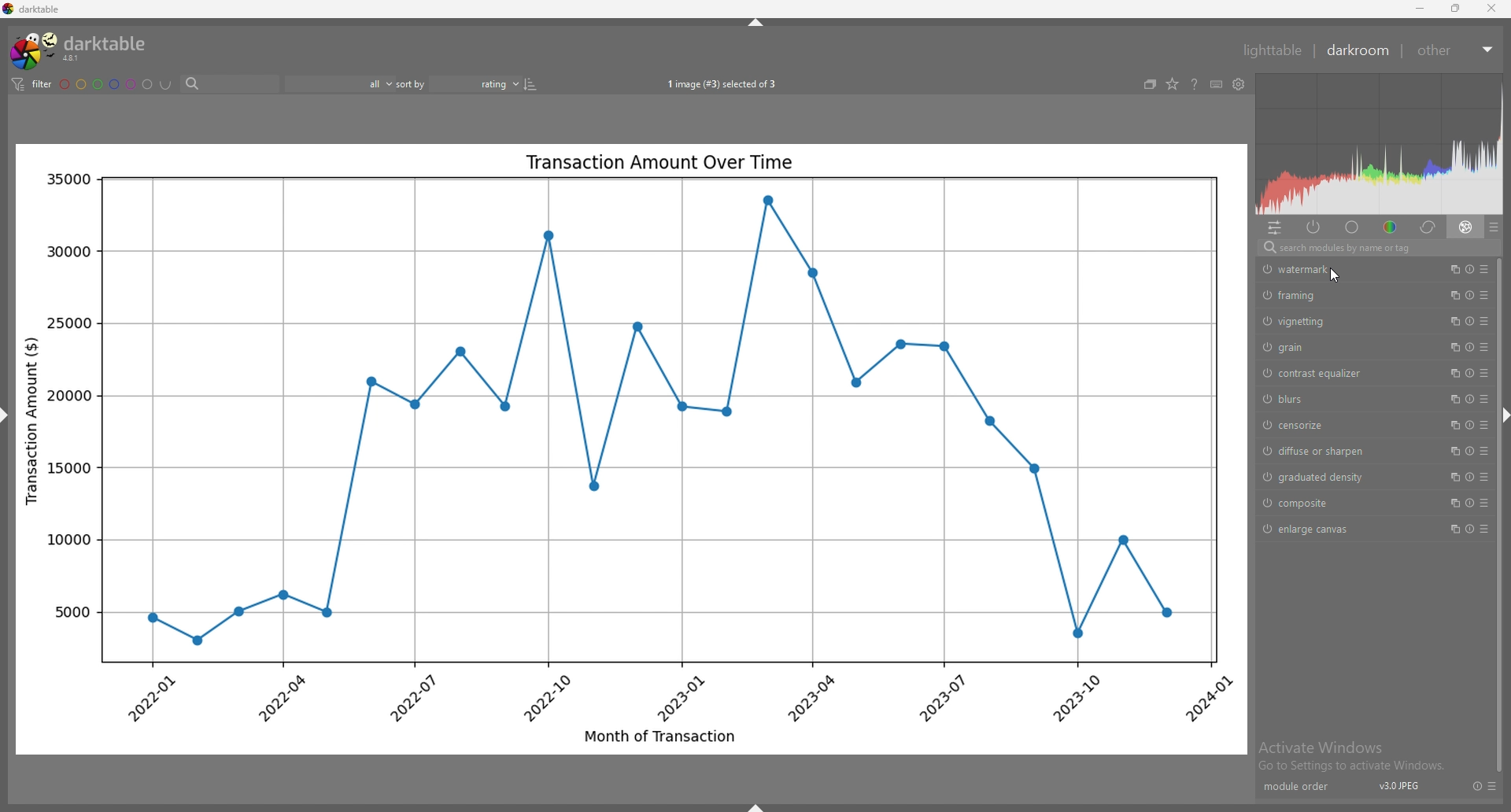 The image size is (1511, 812). I want to click on reset, so click(1469, 295).